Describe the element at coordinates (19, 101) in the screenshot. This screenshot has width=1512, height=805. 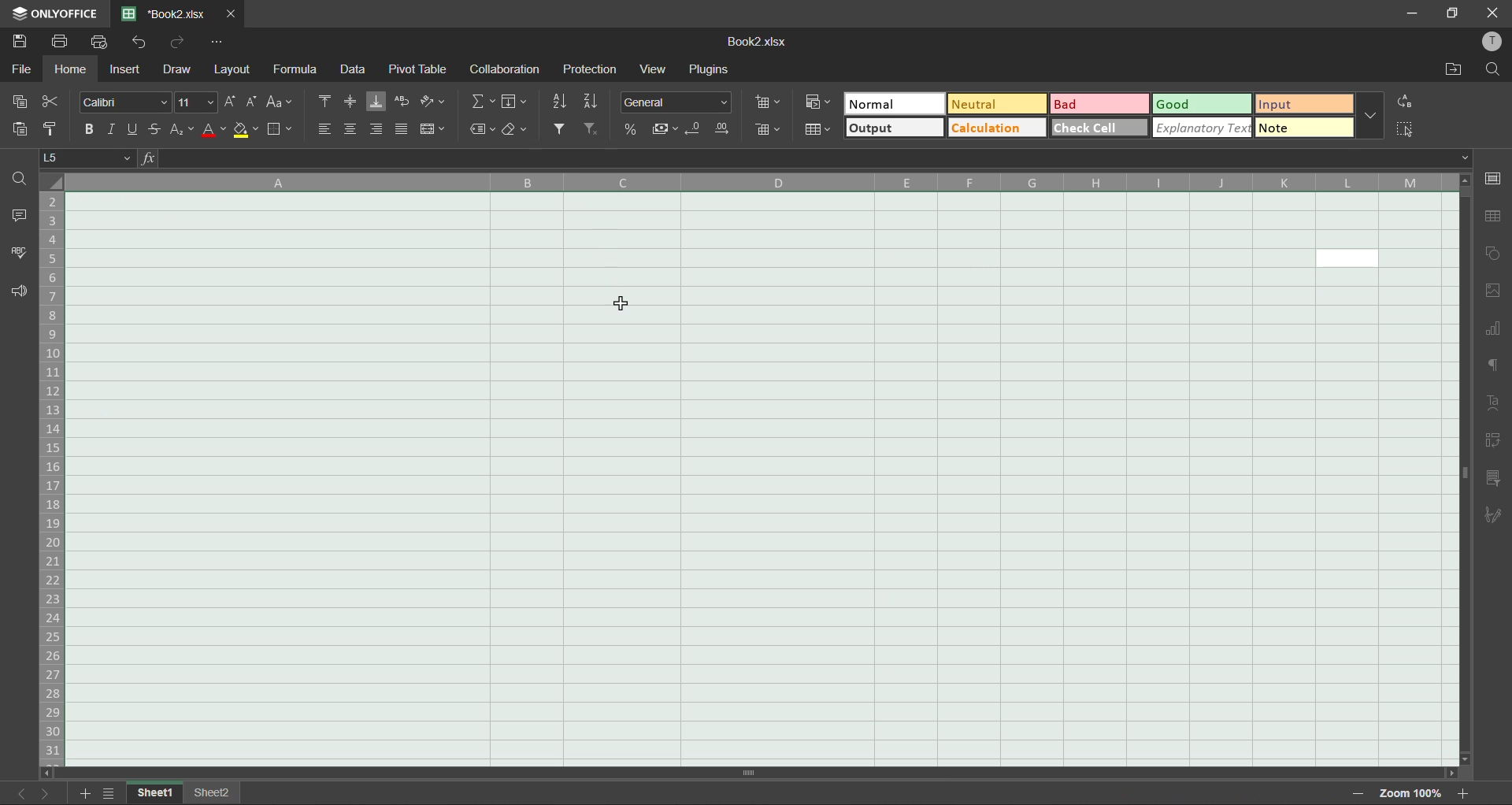
I see `copy` at that location.